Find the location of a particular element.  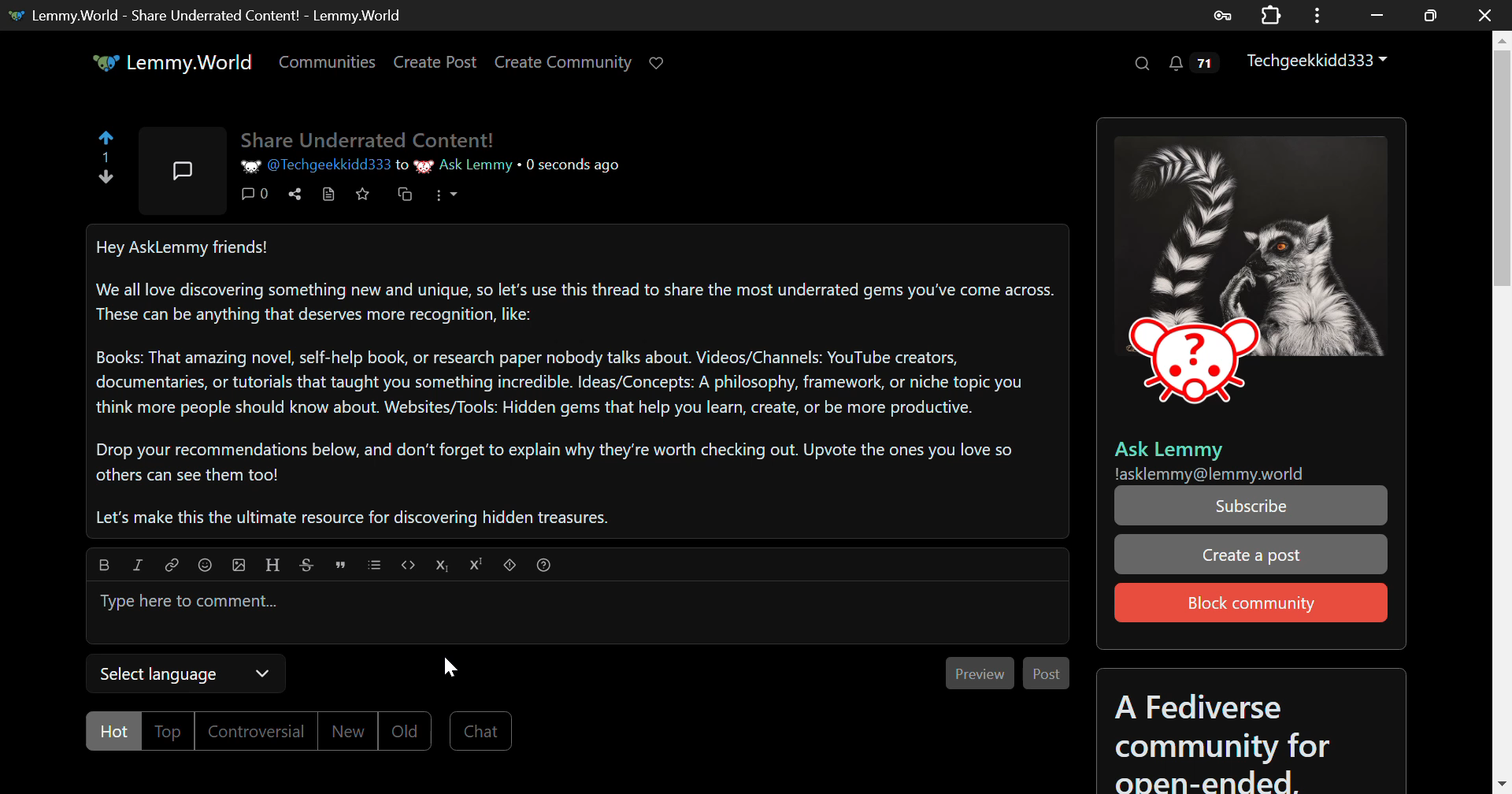

@Techgeekkidd333 is located at coordinates (316, 165).